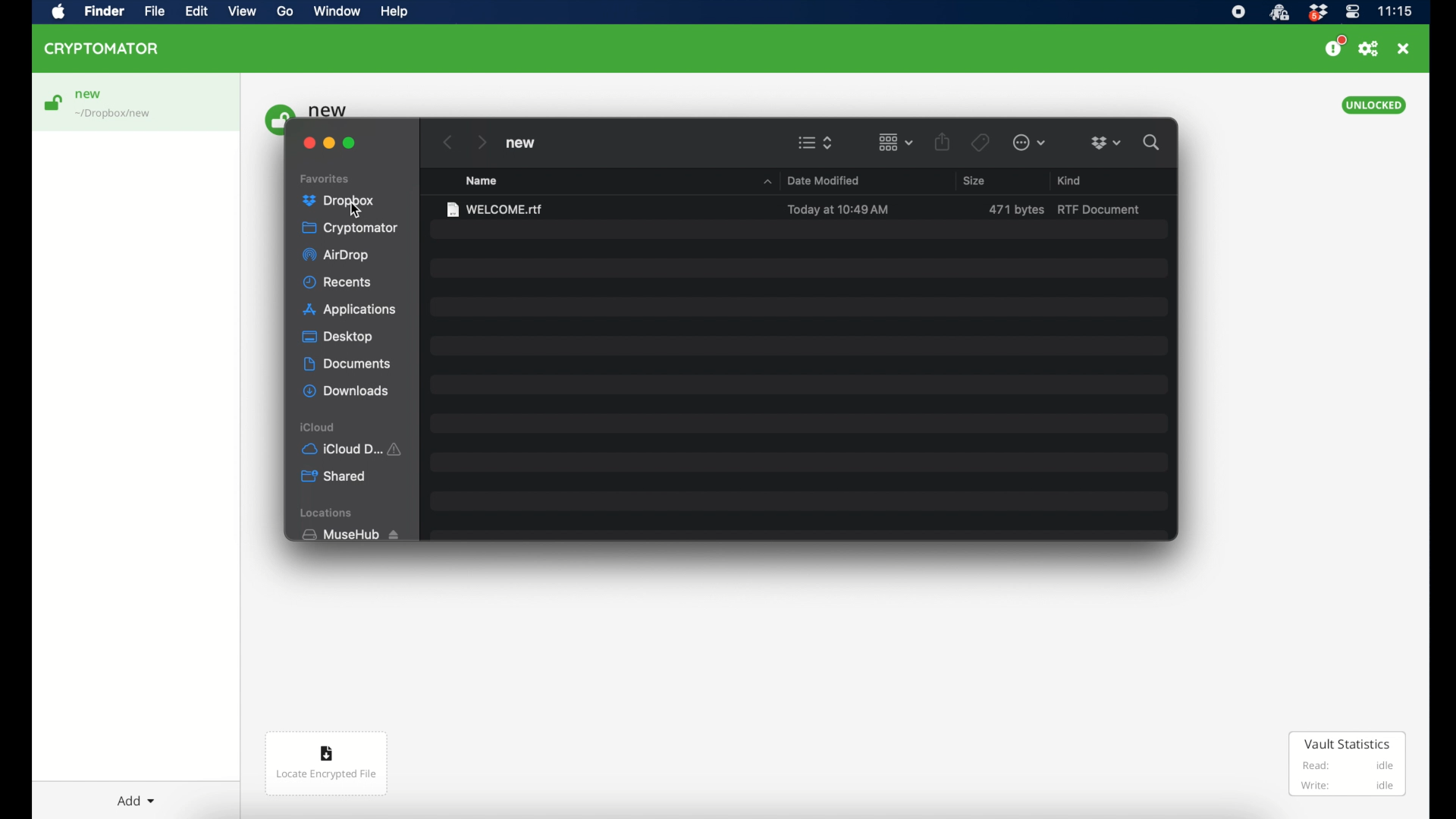  I want to click on view options, so click(816, 143).